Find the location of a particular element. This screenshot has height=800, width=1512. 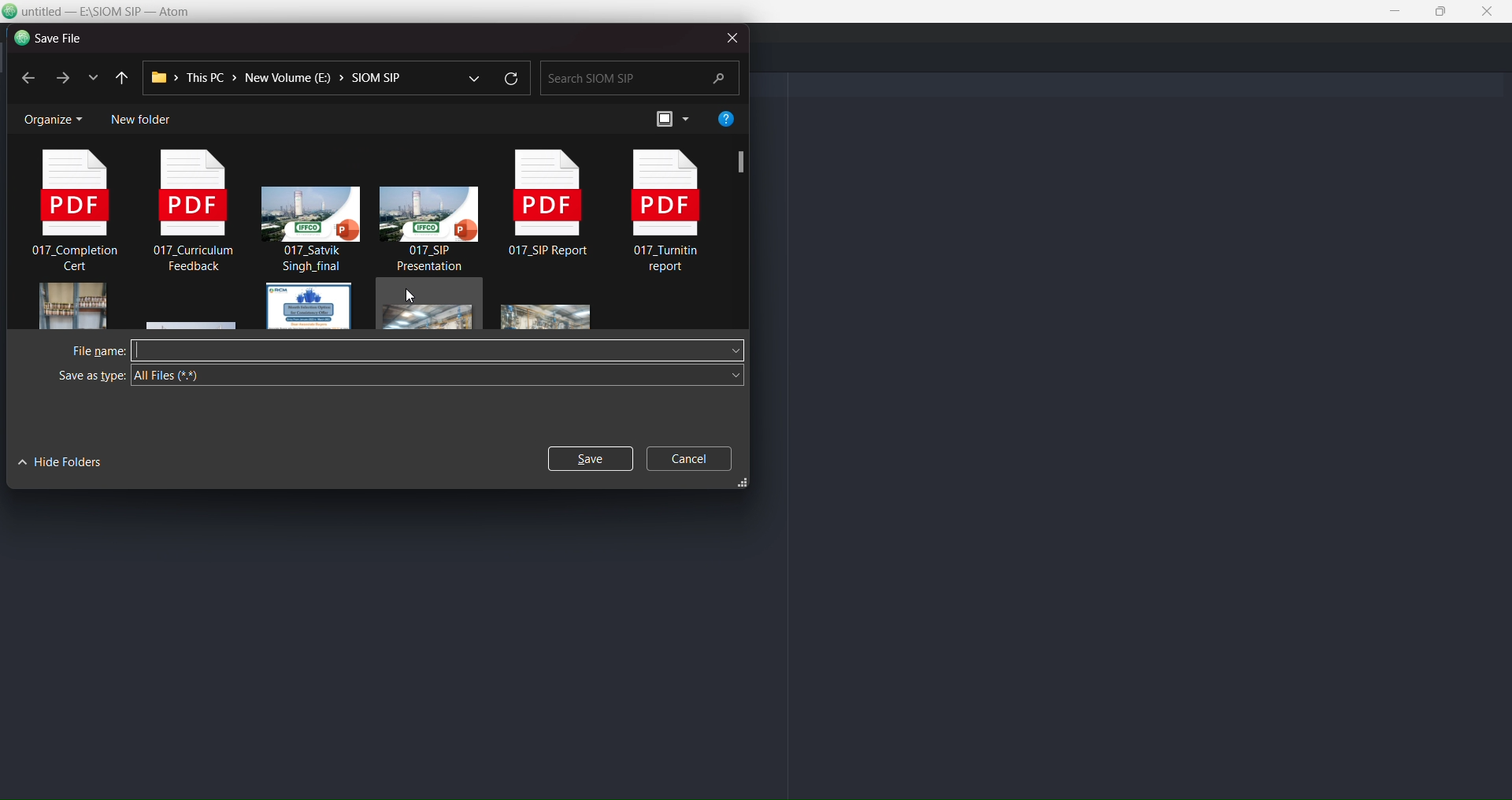

search is located at coordinates (641, 79).